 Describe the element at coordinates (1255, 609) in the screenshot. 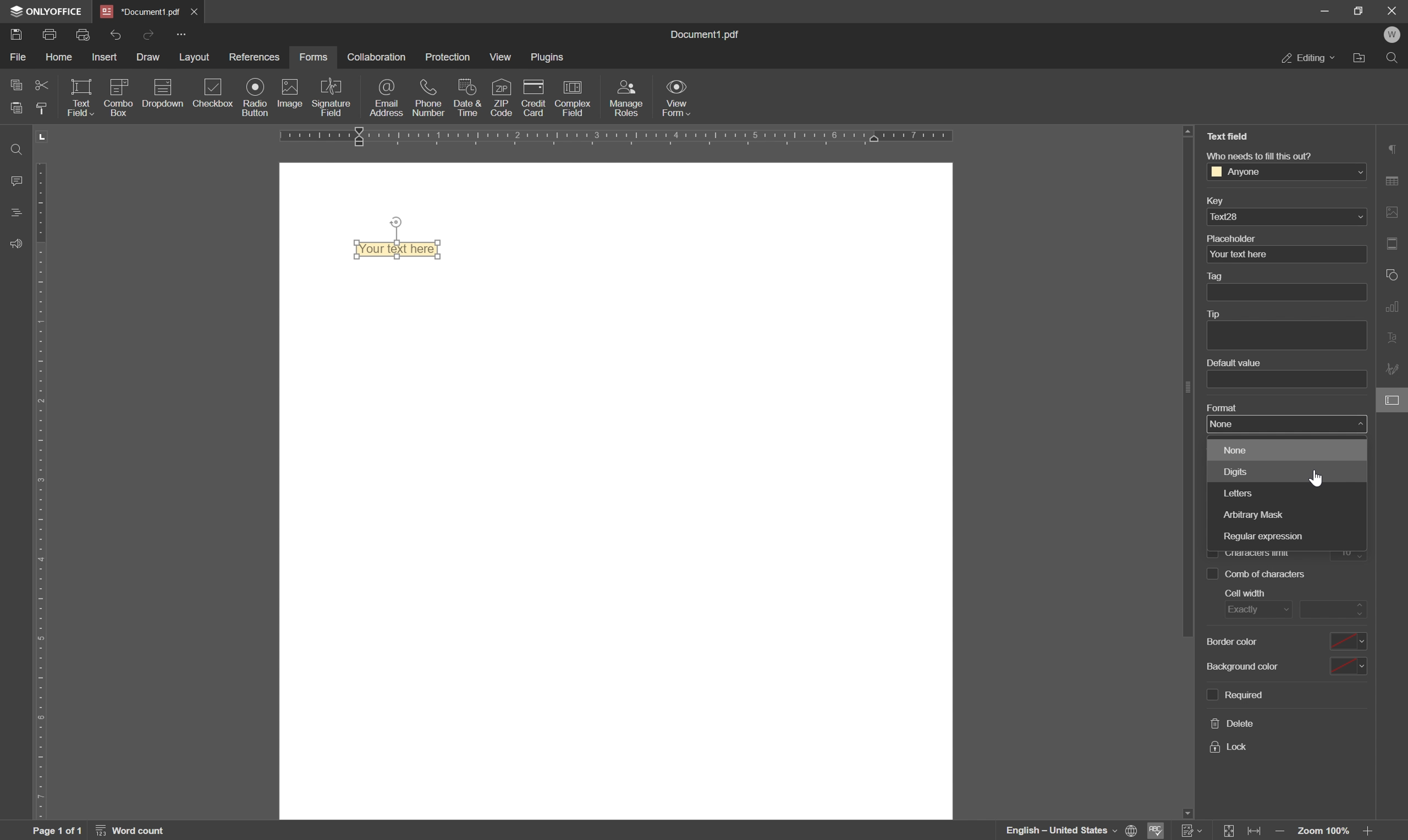

I see `exactly` at that location.